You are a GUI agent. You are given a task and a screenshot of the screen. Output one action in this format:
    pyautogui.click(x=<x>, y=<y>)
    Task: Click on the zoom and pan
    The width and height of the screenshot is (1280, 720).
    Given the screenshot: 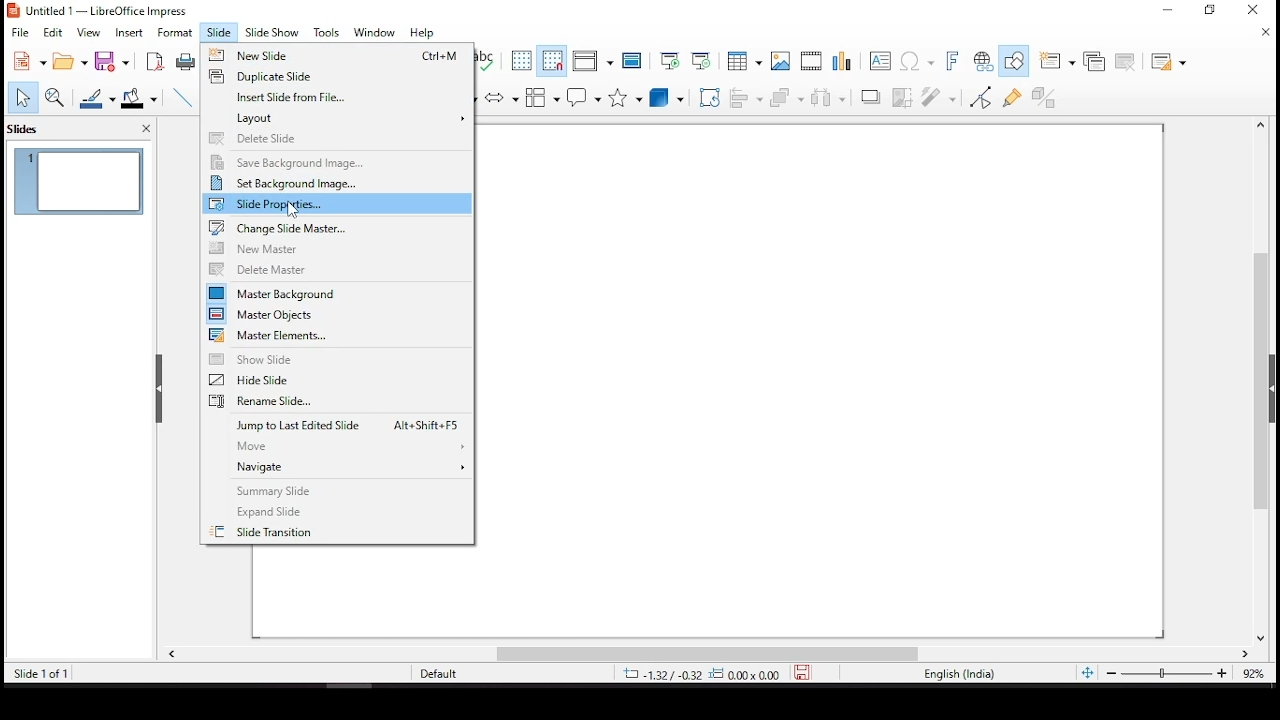 What is the action you would take?
    pyautogui.click(x=58, y=98)
    